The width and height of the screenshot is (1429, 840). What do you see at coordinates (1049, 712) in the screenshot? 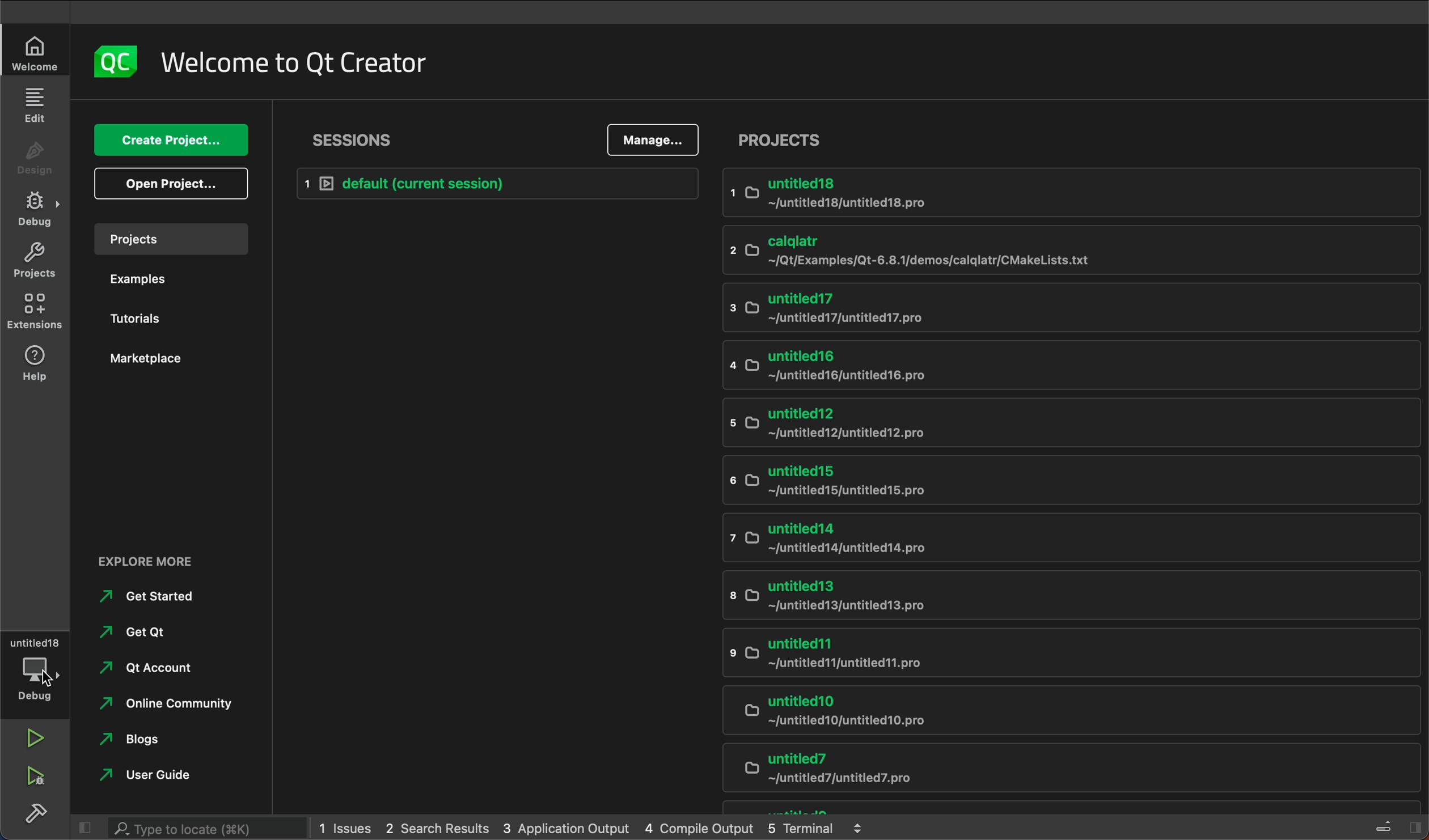
I see `untitled10` at bounding box center [1049, 712].